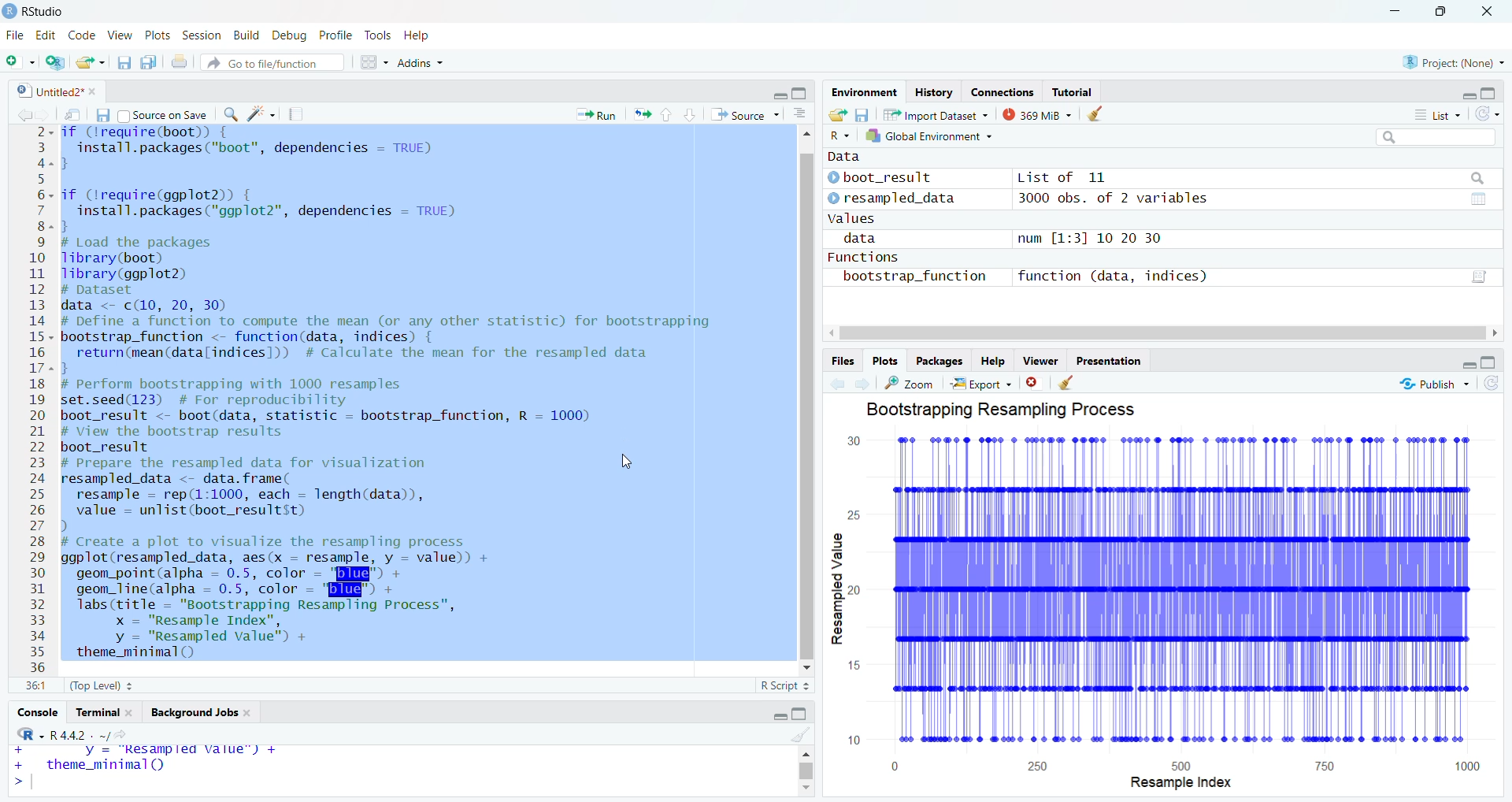 Image resolution: width=1512 pixels, height=802 pixels. I want to click on open an existing file, so click(91, 61).